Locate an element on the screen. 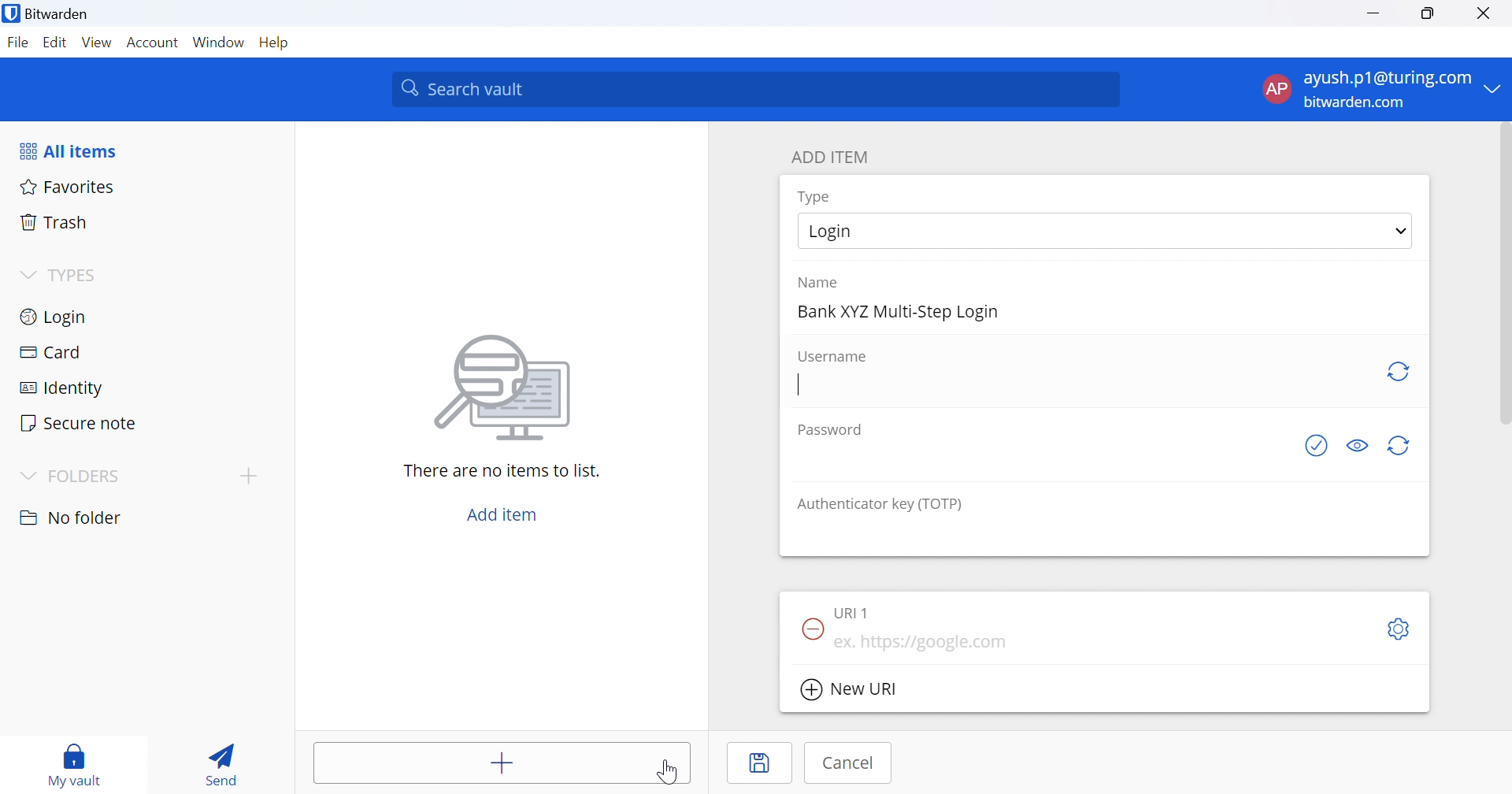 The height and width of the screenshot is (794, 1512). Trash is located at coordinates (54, 221).